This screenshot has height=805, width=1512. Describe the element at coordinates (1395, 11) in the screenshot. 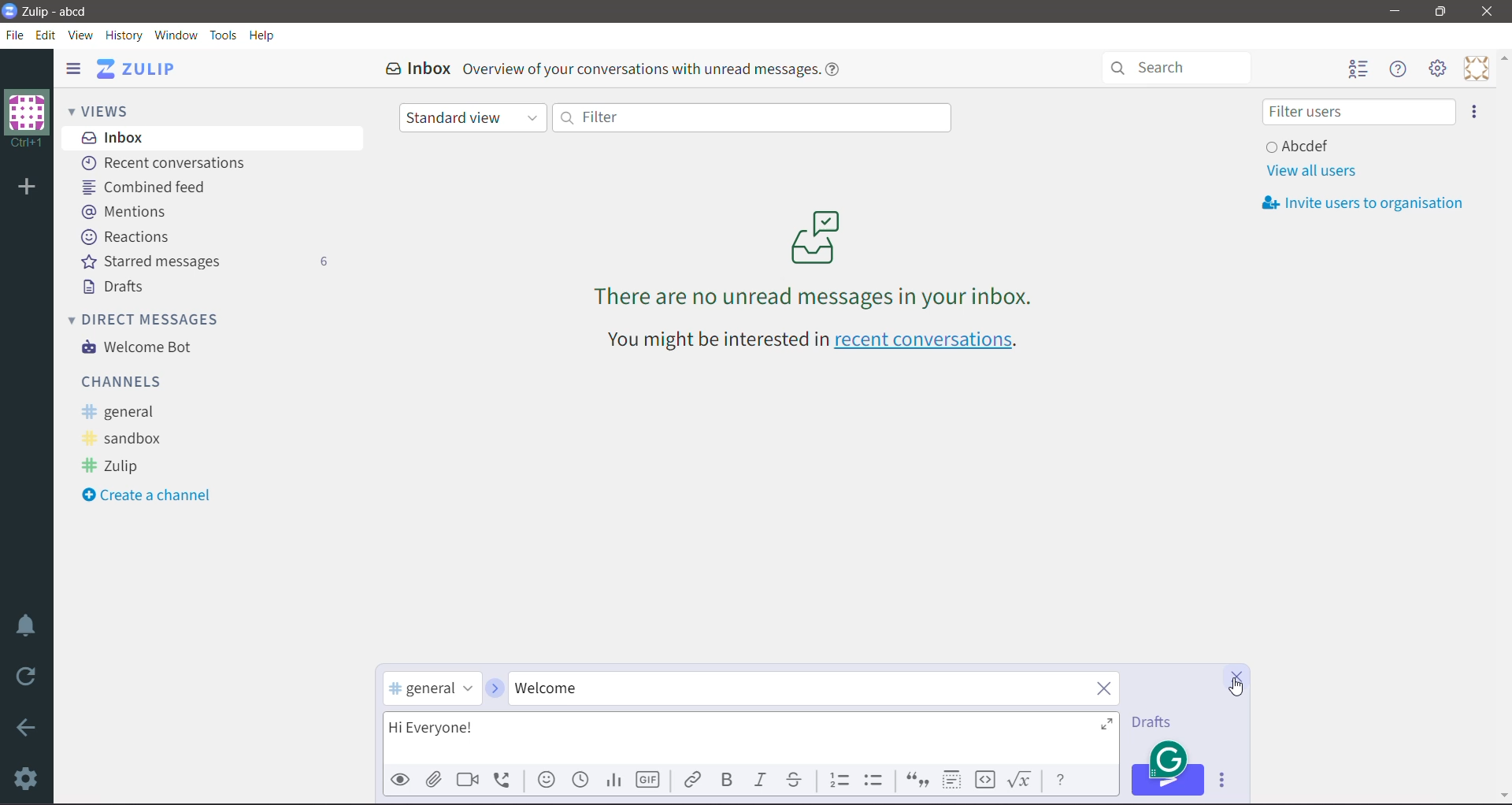

I see `Minimize` at that location.